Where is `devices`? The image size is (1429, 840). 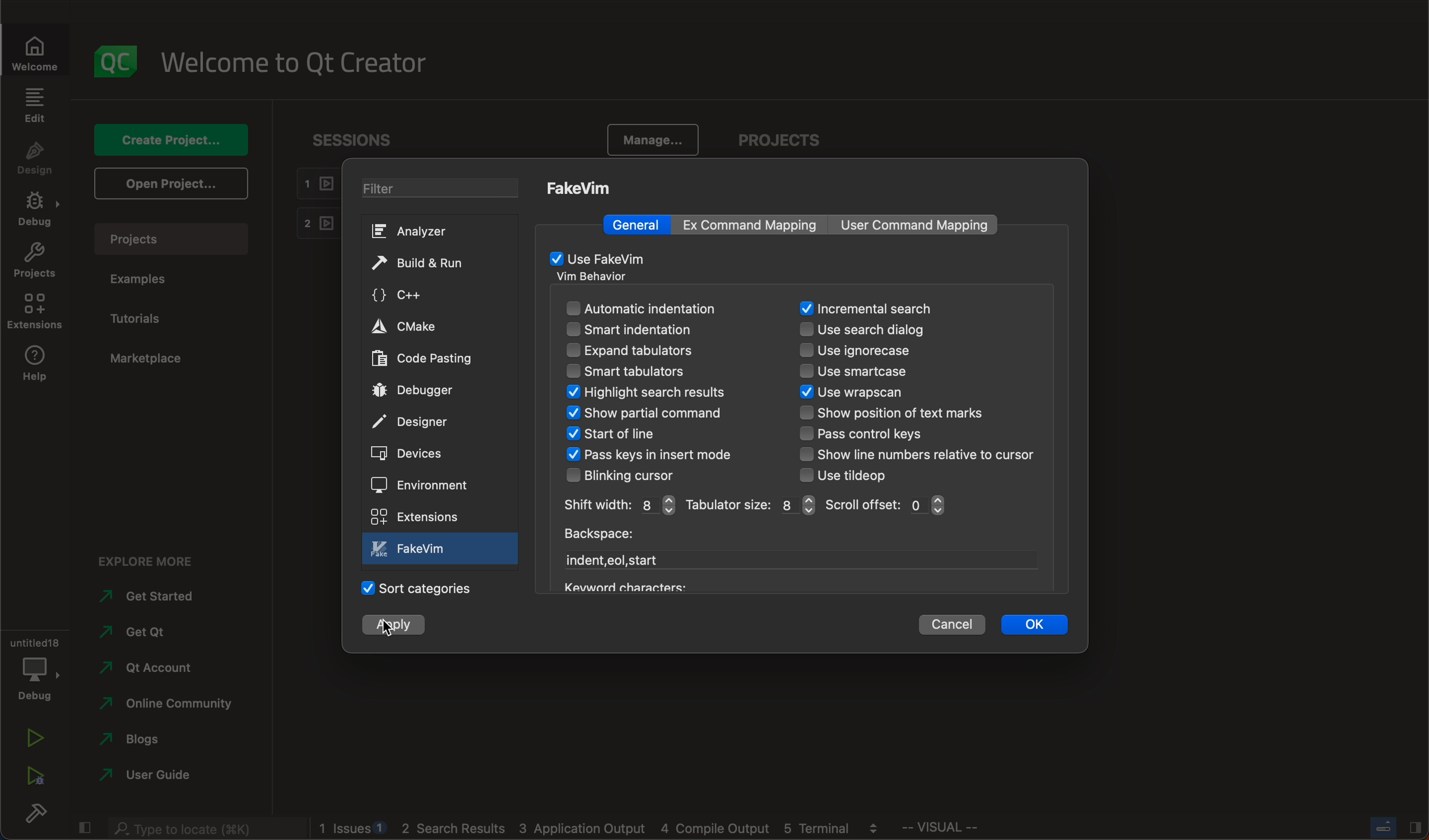 devices is located at coordinates (413, 455).